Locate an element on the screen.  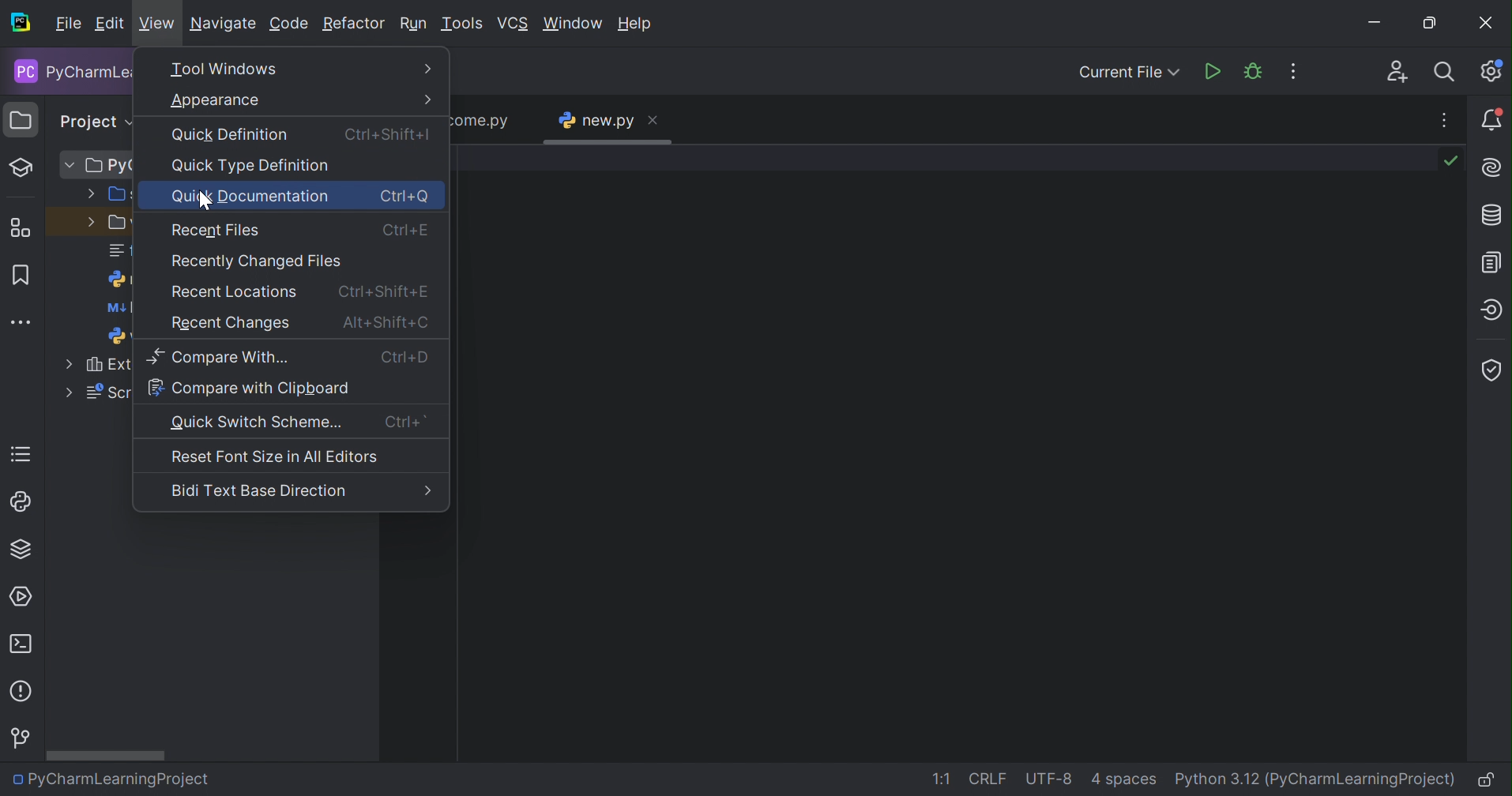
Debug 'new.py' is located at coordinates (1254, 71).